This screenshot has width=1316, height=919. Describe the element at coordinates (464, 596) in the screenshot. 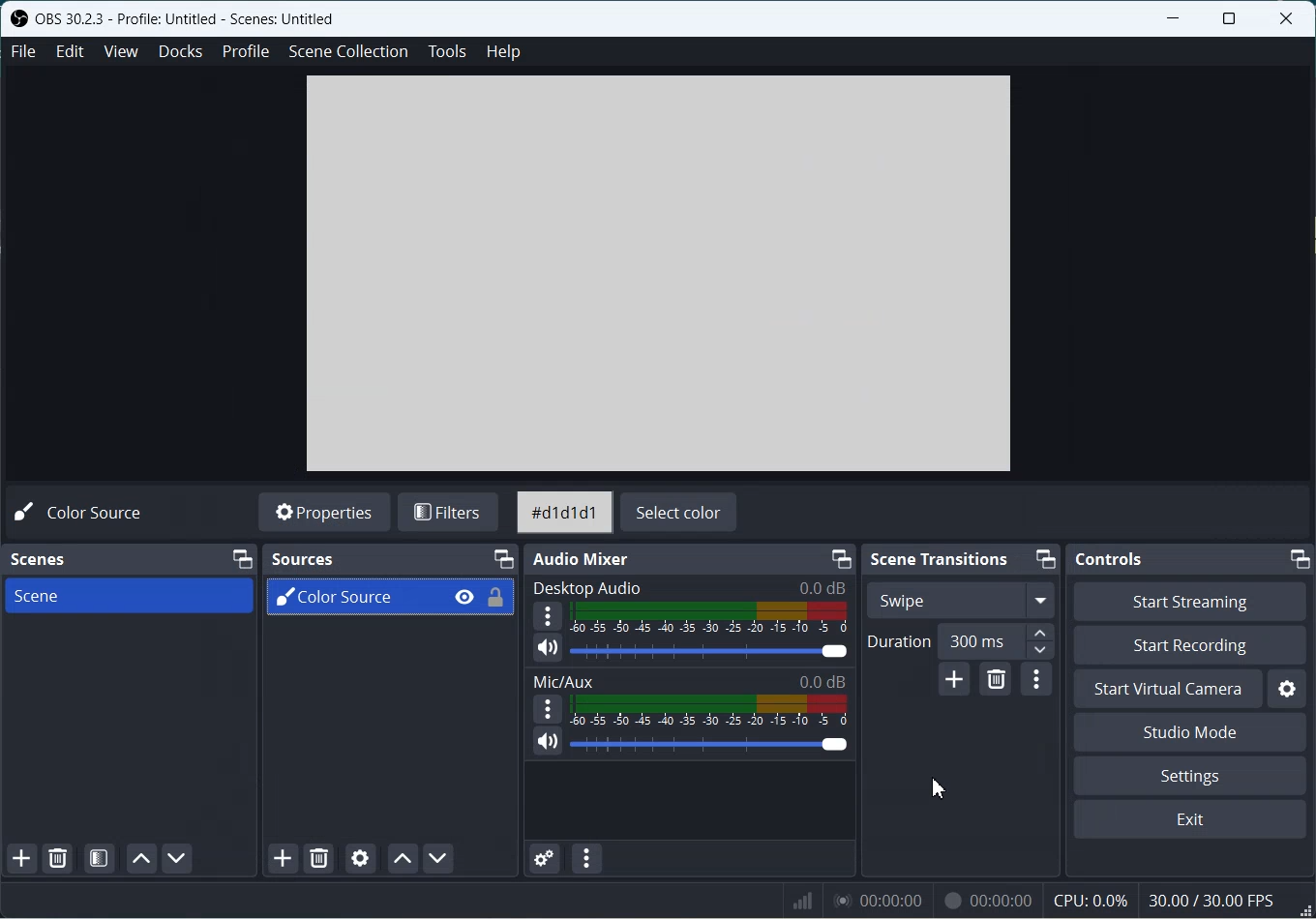

I see `Eye` at that location.